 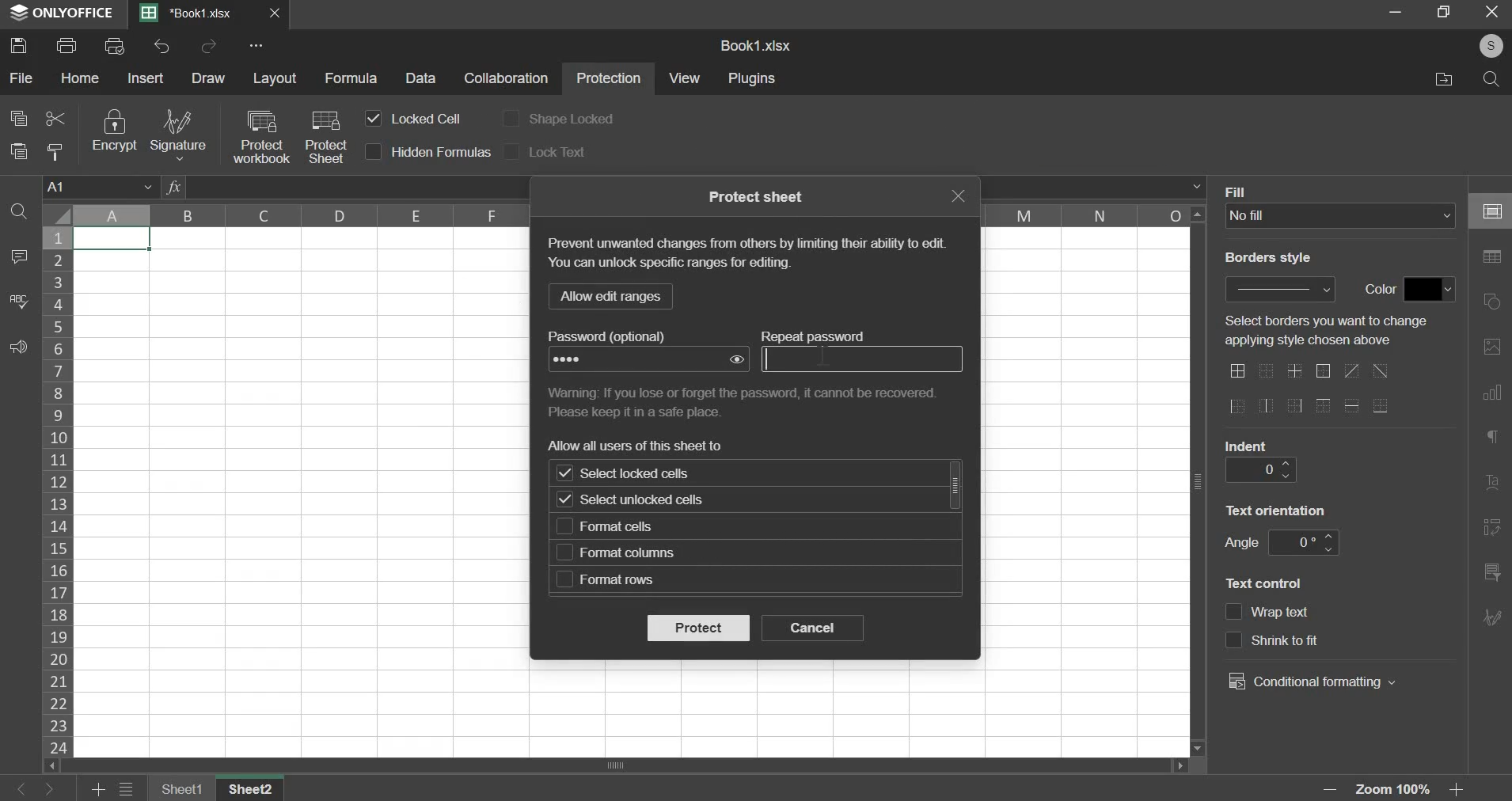 I want to click on border options, so click(x=1351, y=370).